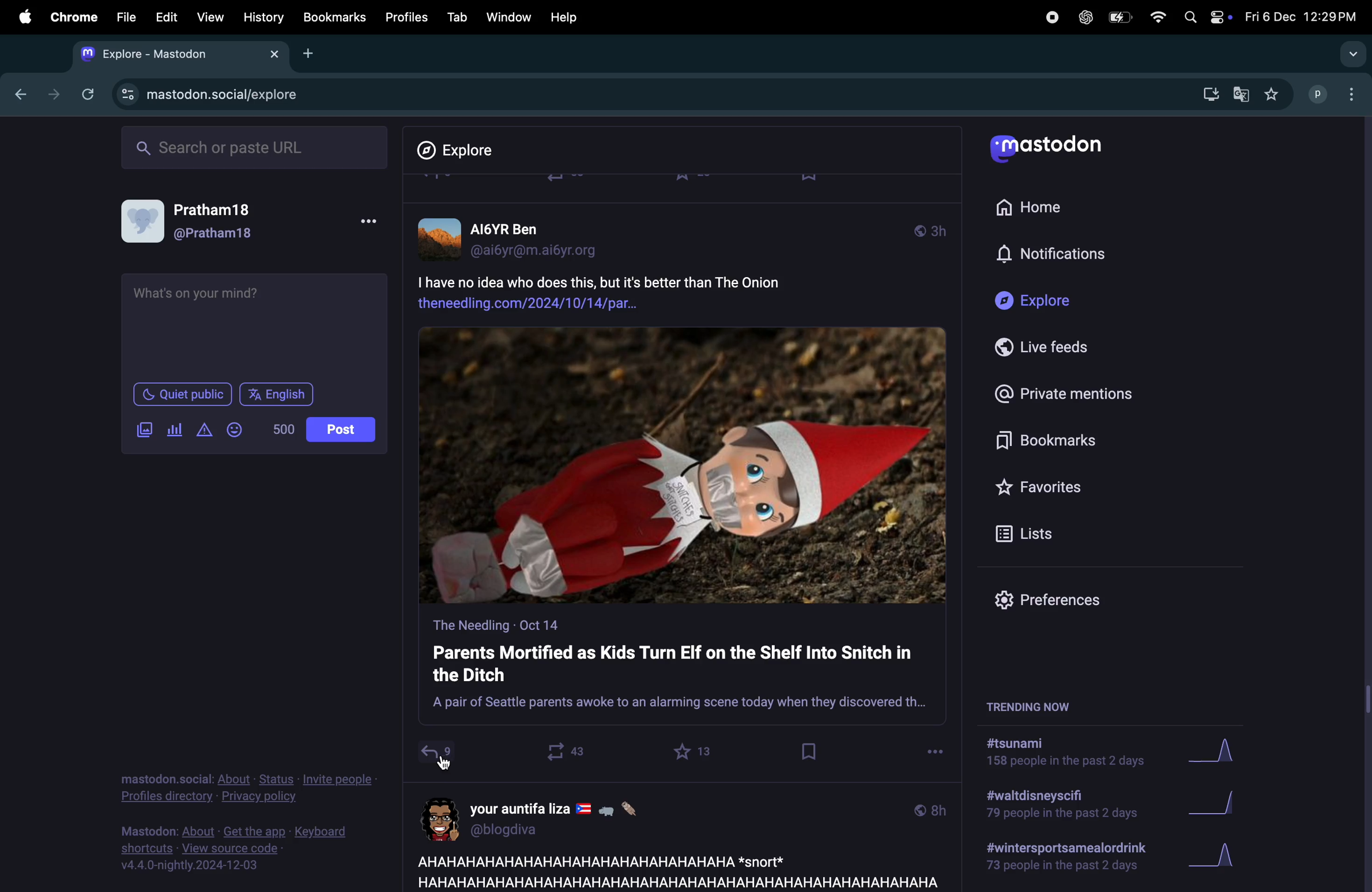  I want to click on search url, so click(257, 146).